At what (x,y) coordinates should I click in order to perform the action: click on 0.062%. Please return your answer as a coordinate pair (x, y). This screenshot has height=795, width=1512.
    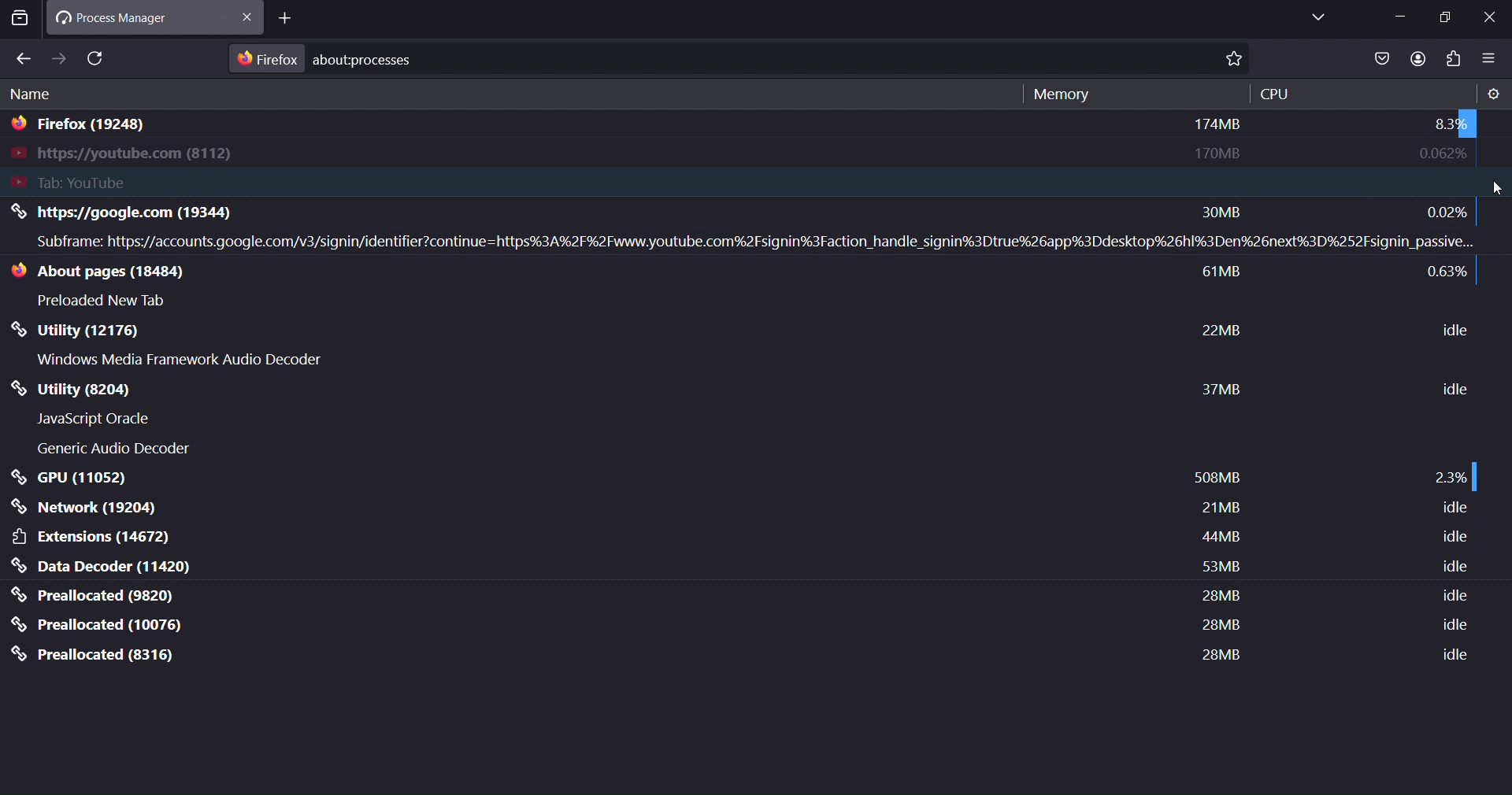
    Looking at the image, I should click on (1440, 154).